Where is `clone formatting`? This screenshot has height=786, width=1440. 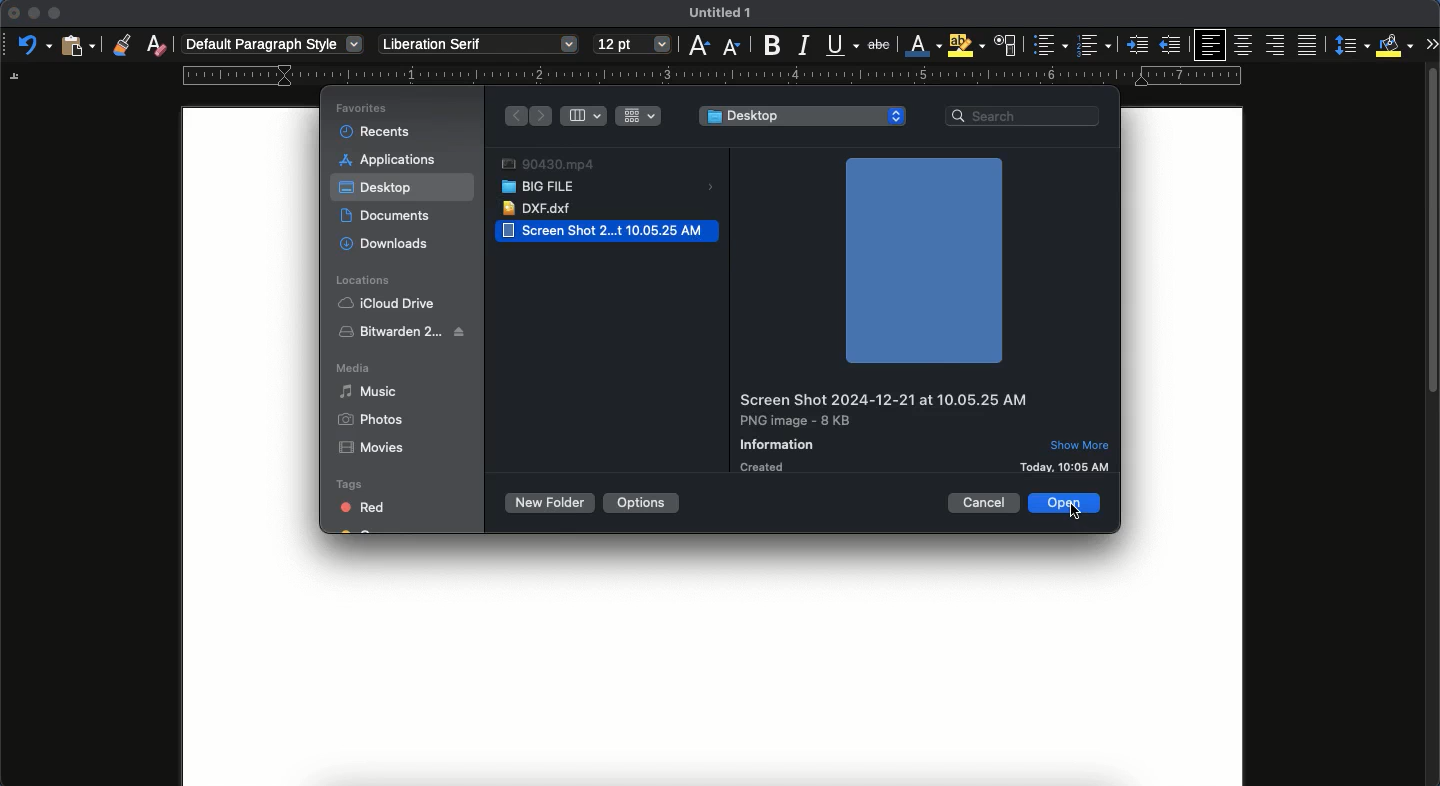
clone formatting is located at coordinates (121, 43).